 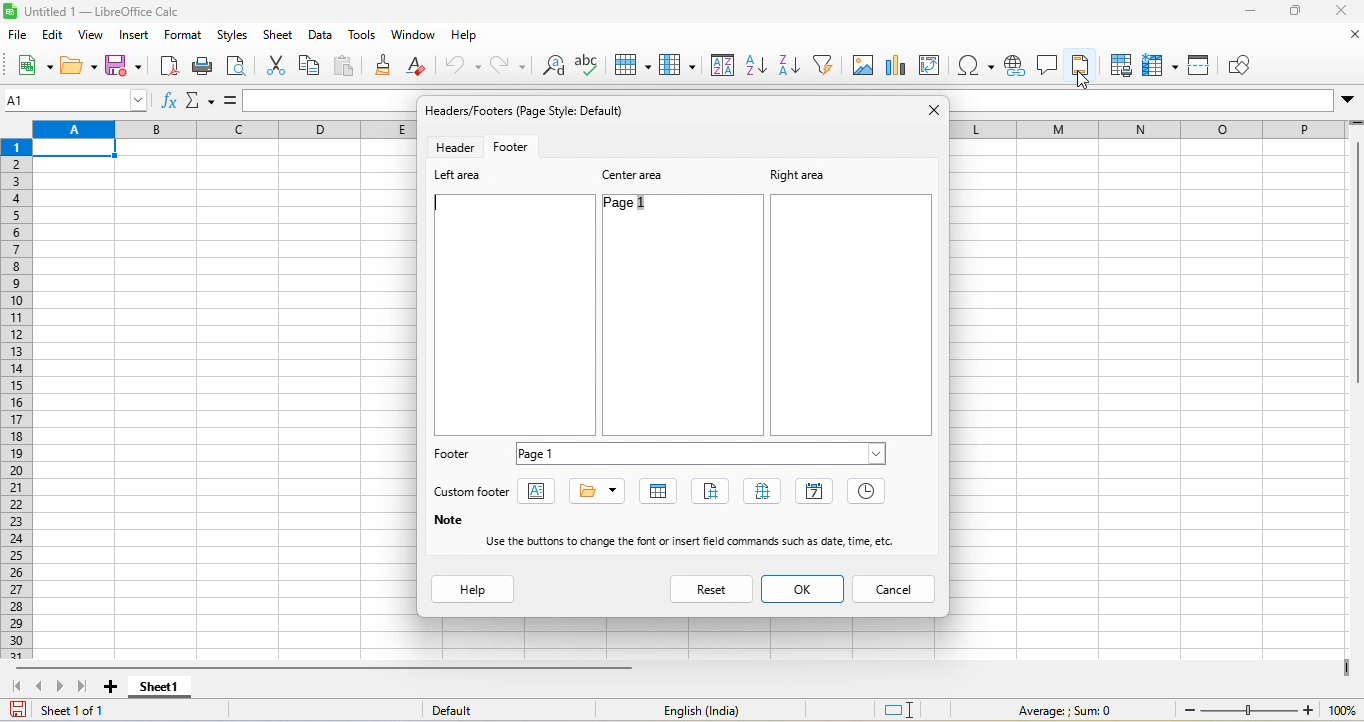 I want to click on hyperlink, so click(x=1012, y=68).